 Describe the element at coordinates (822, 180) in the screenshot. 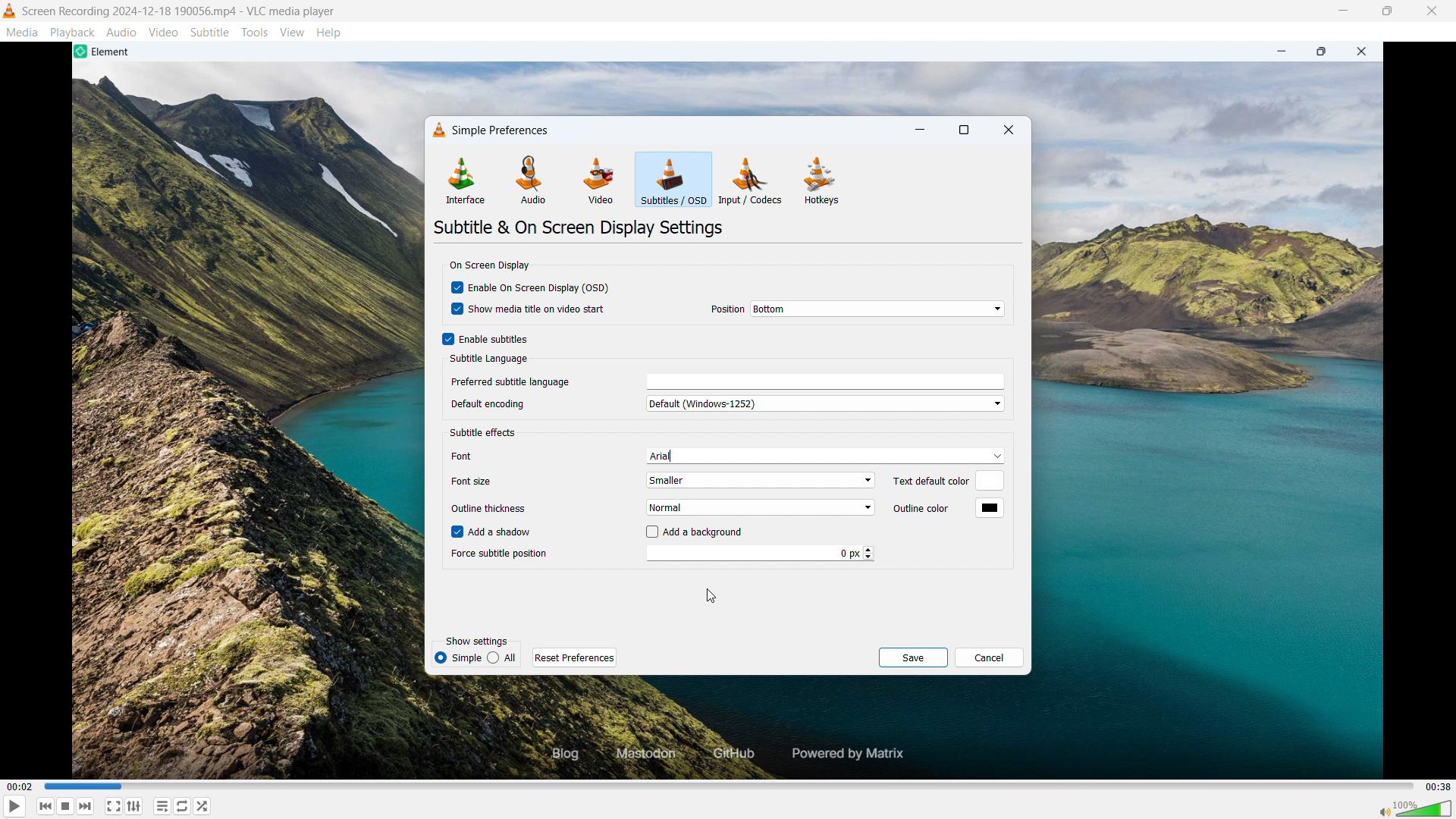

I see `hotkeys` at that location.